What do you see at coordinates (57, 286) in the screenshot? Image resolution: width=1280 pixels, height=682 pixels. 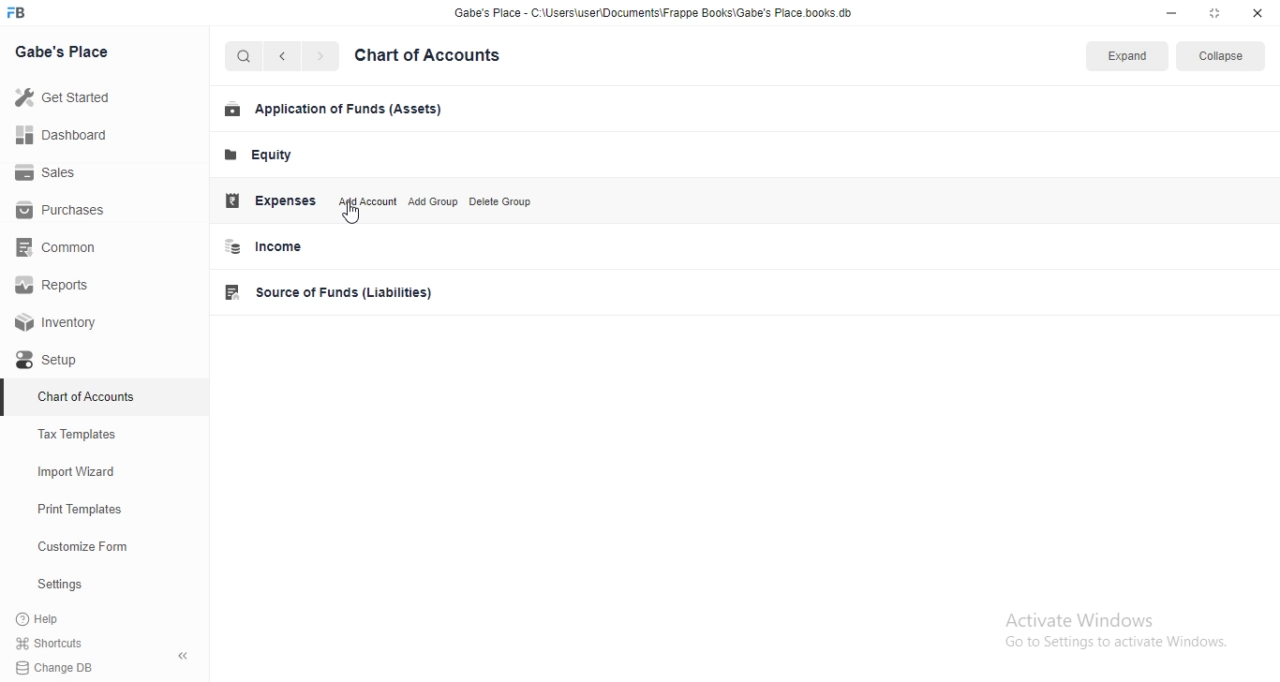 I see `Reports` at bounding box center [57, 286].